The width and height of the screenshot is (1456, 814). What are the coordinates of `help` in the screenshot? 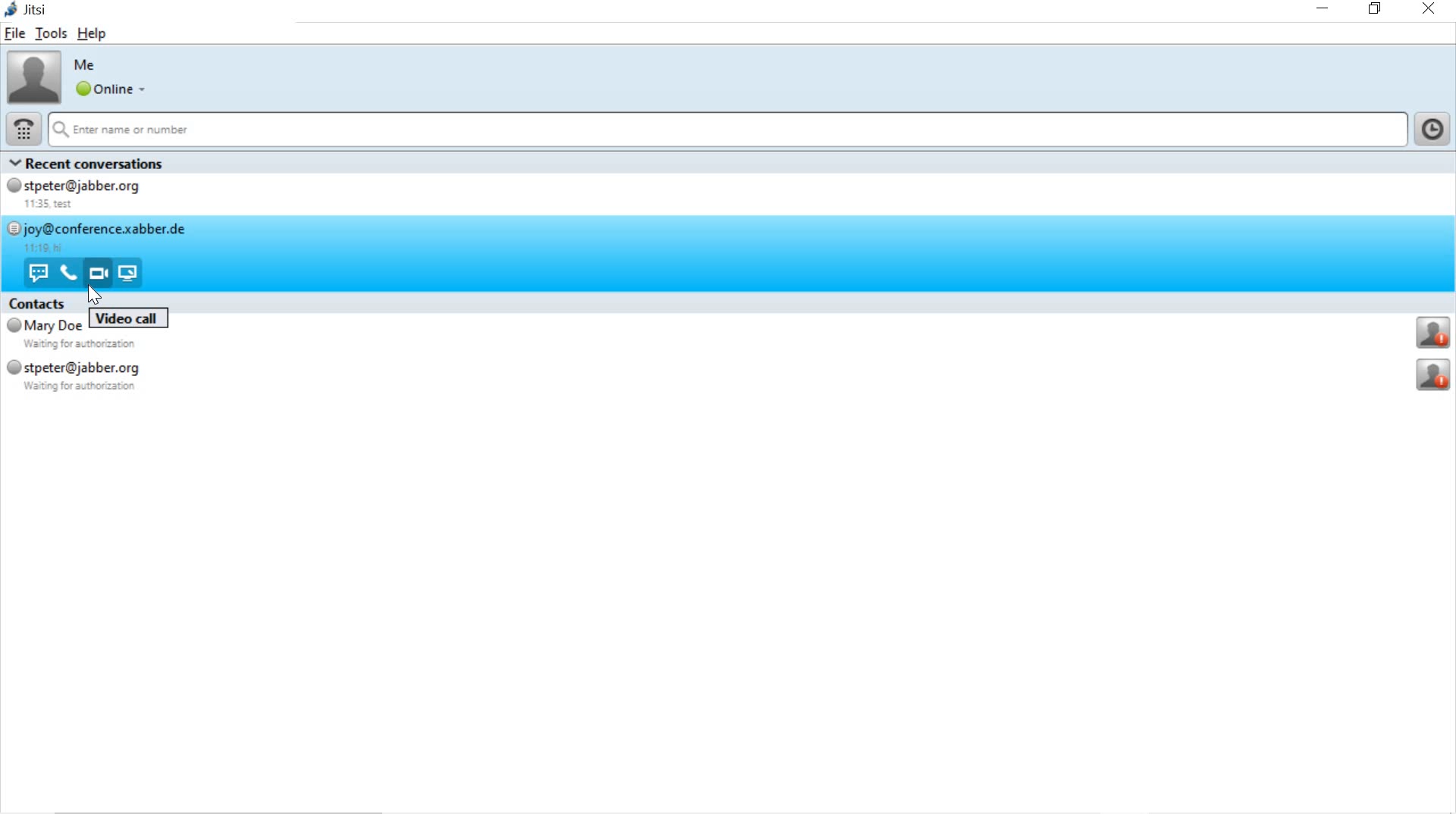 It's located at (92, 36).